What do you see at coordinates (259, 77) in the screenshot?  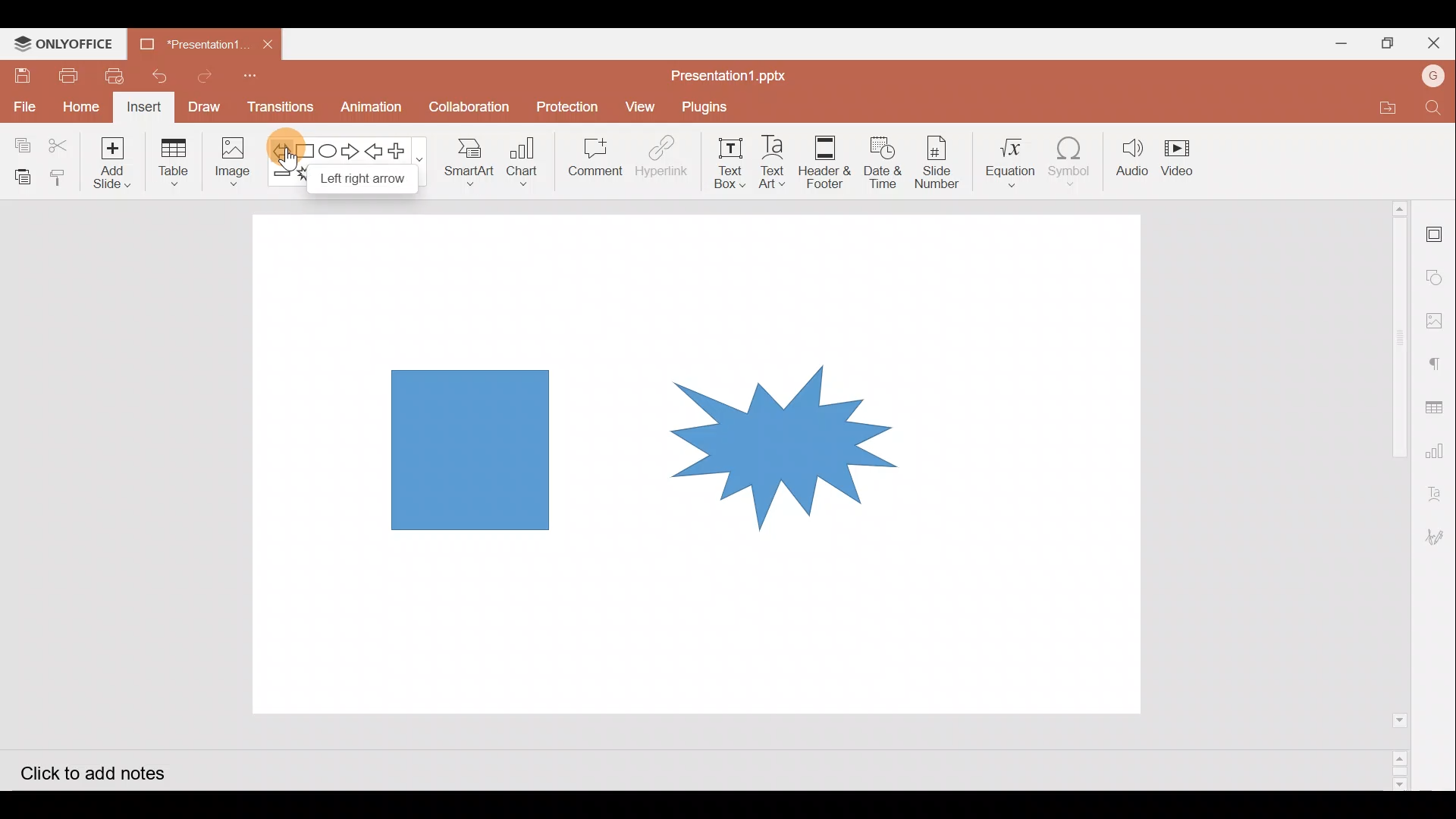 I see `Customize quick access toolbar` at bounding box center [259, 77].